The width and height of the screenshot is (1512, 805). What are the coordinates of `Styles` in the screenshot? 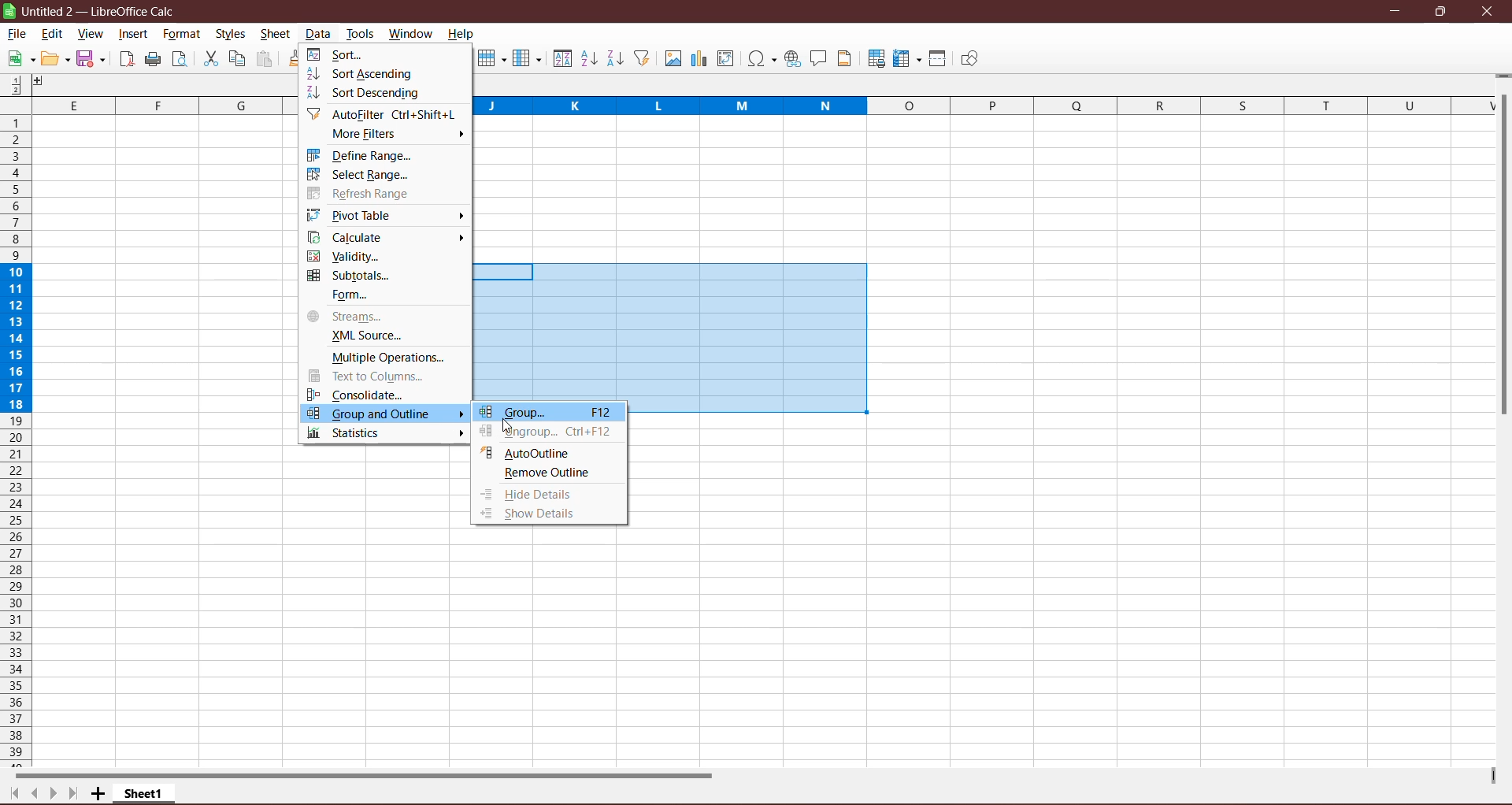 It's located at (232, 35).